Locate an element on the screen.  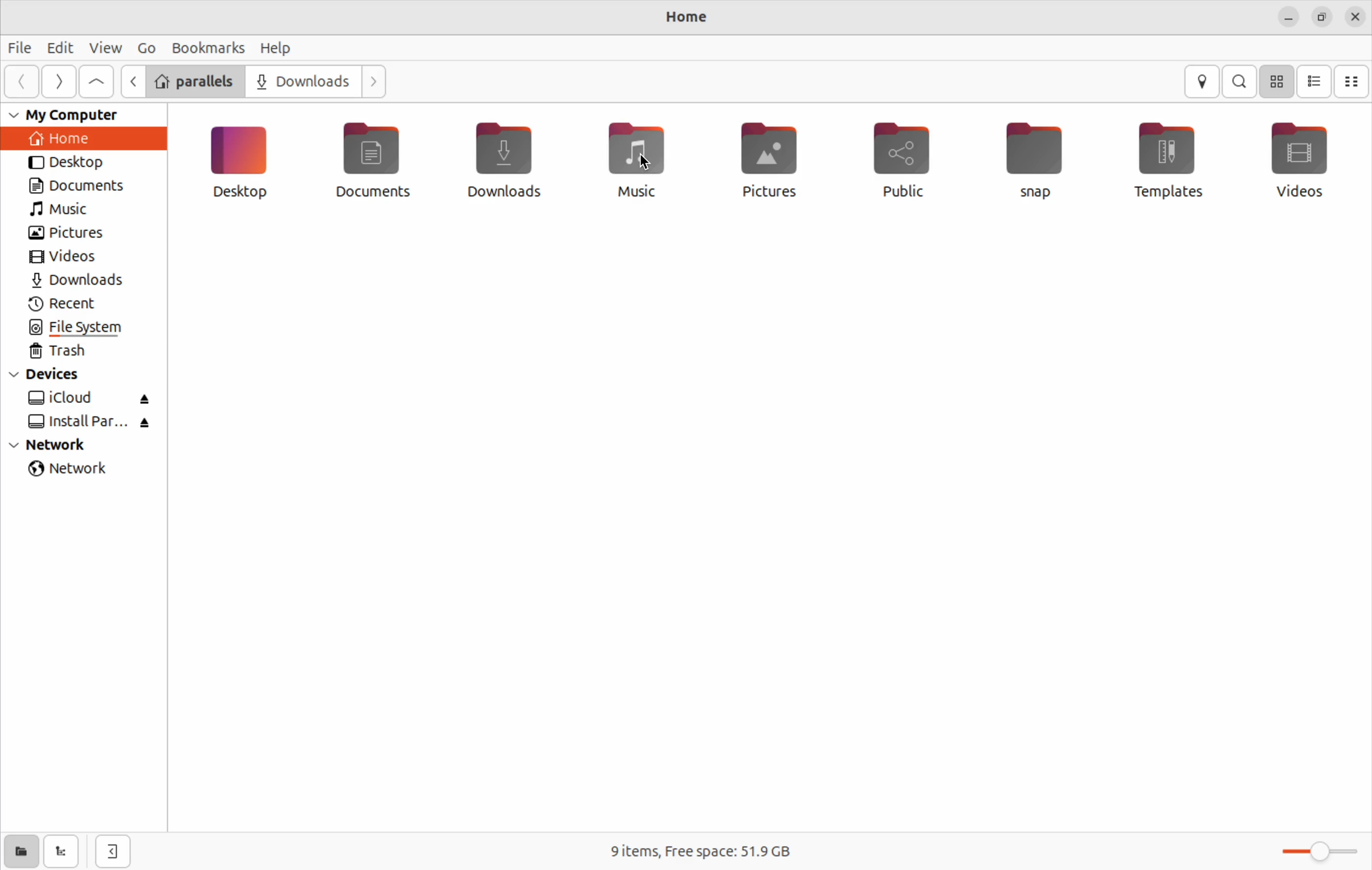
home is located at coordinates (76, 139).